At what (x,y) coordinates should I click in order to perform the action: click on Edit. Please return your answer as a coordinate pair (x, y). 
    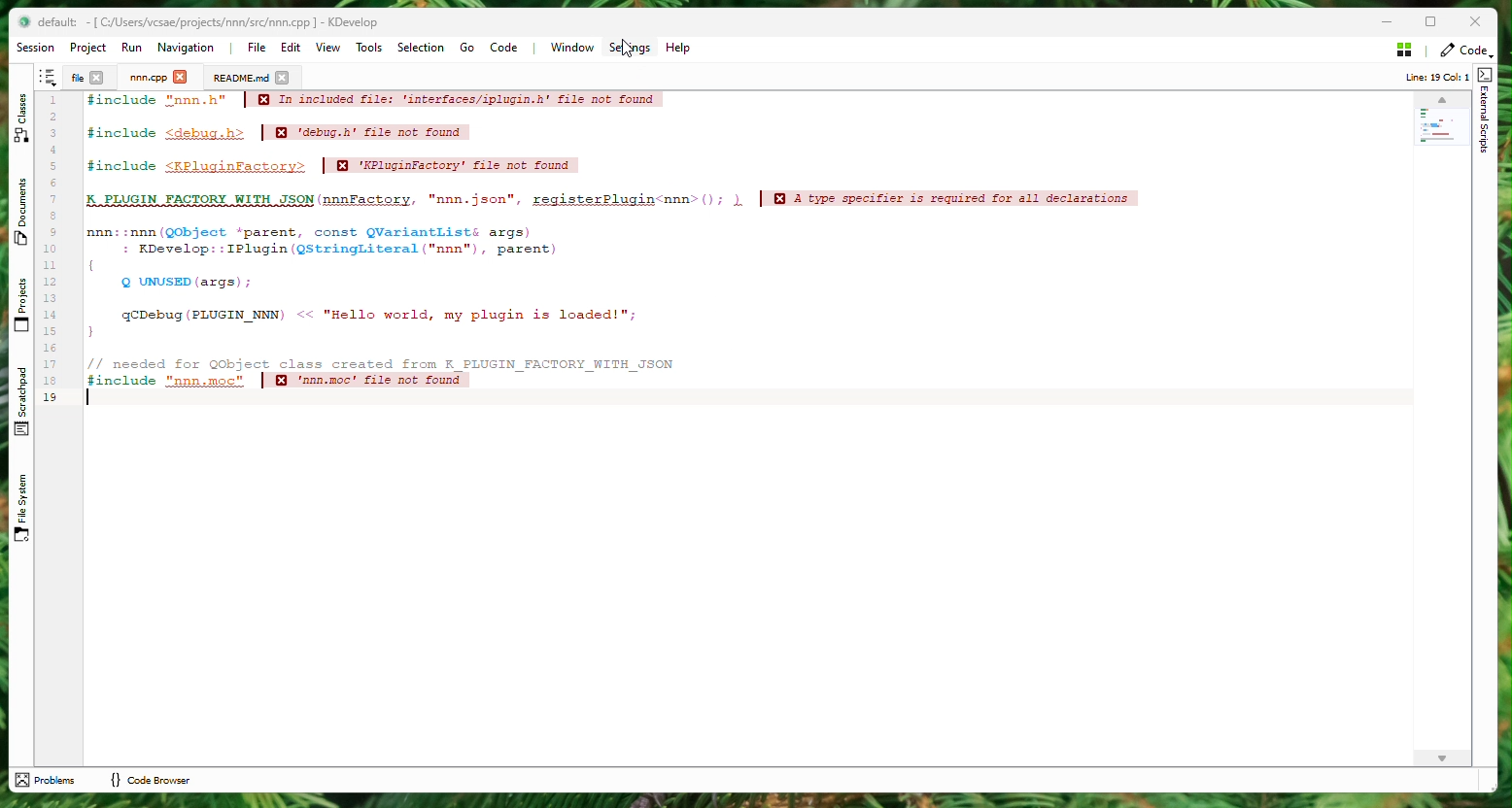
    Looking at the image, I should click on (291, 50).